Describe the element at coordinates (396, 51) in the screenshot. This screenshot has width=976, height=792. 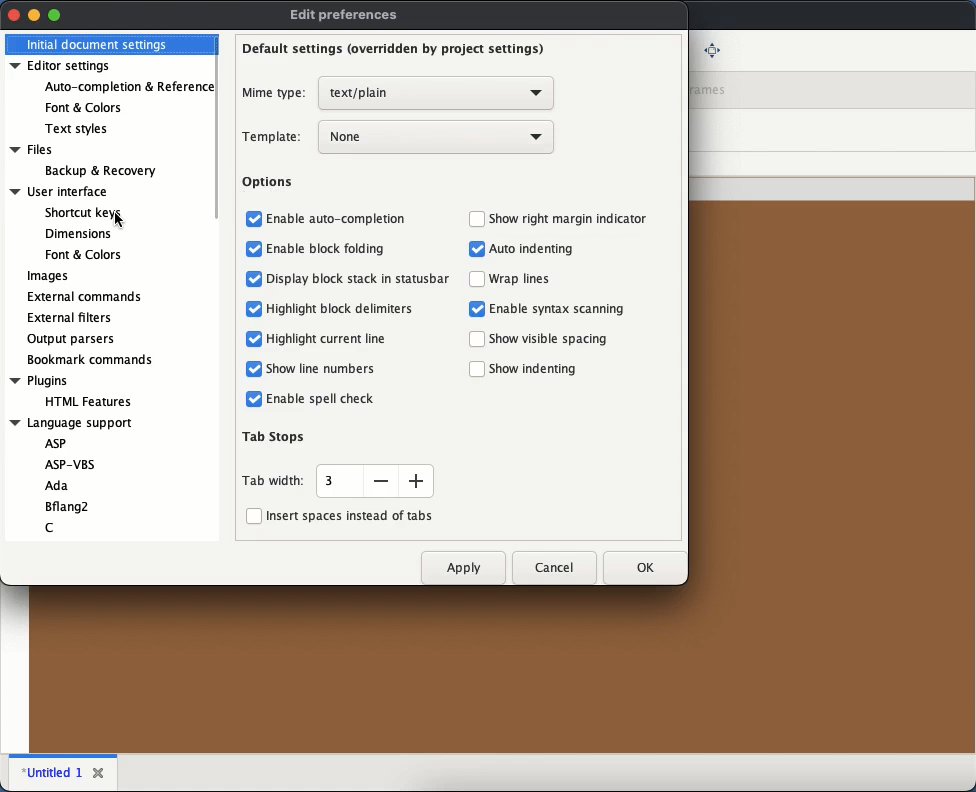
I see `default settings overridden by project settings` at that location.